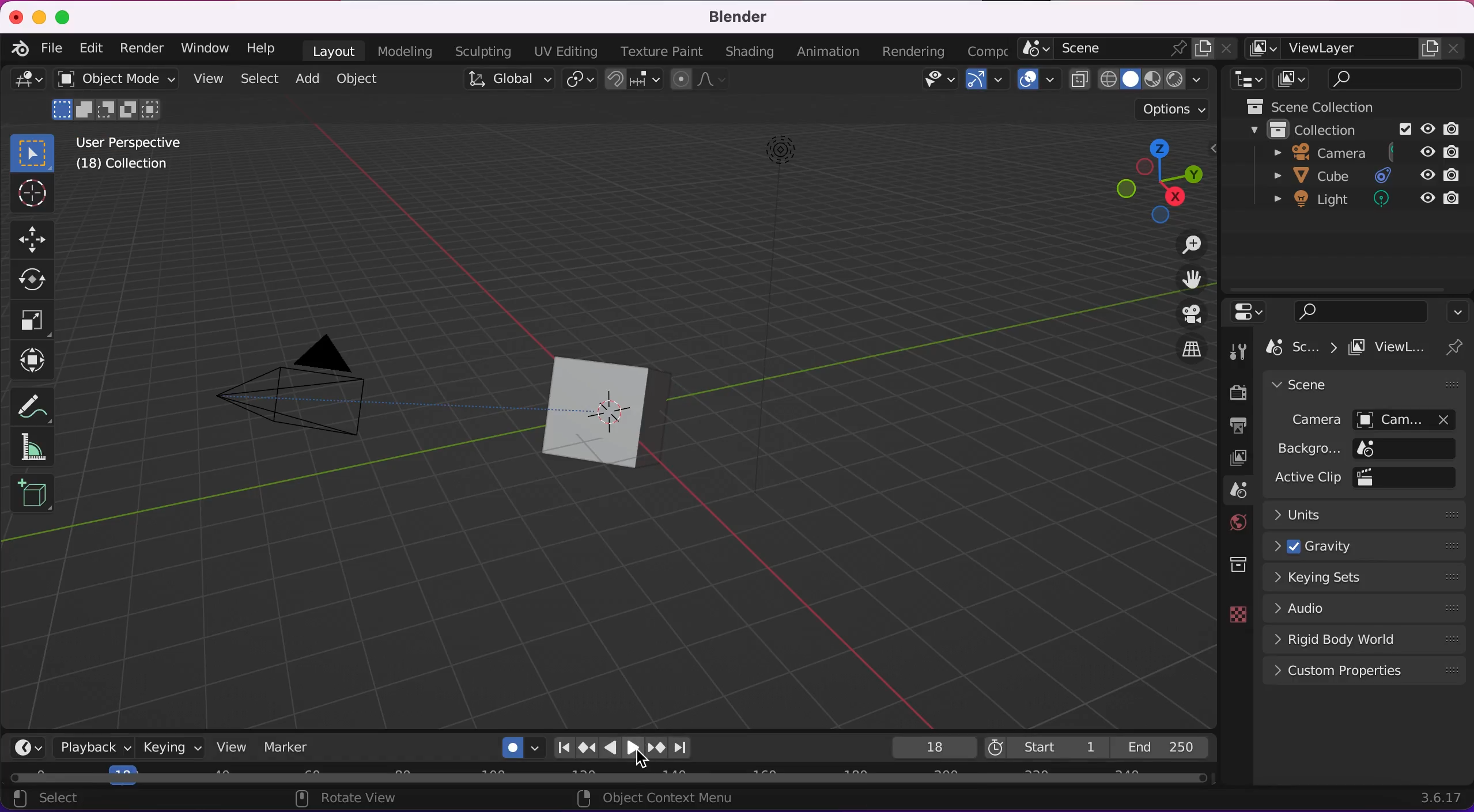 The image size is (1474, 812). Describe the element at coordinates (1237, 461) in the screenshot. I see `view layer` at that location.